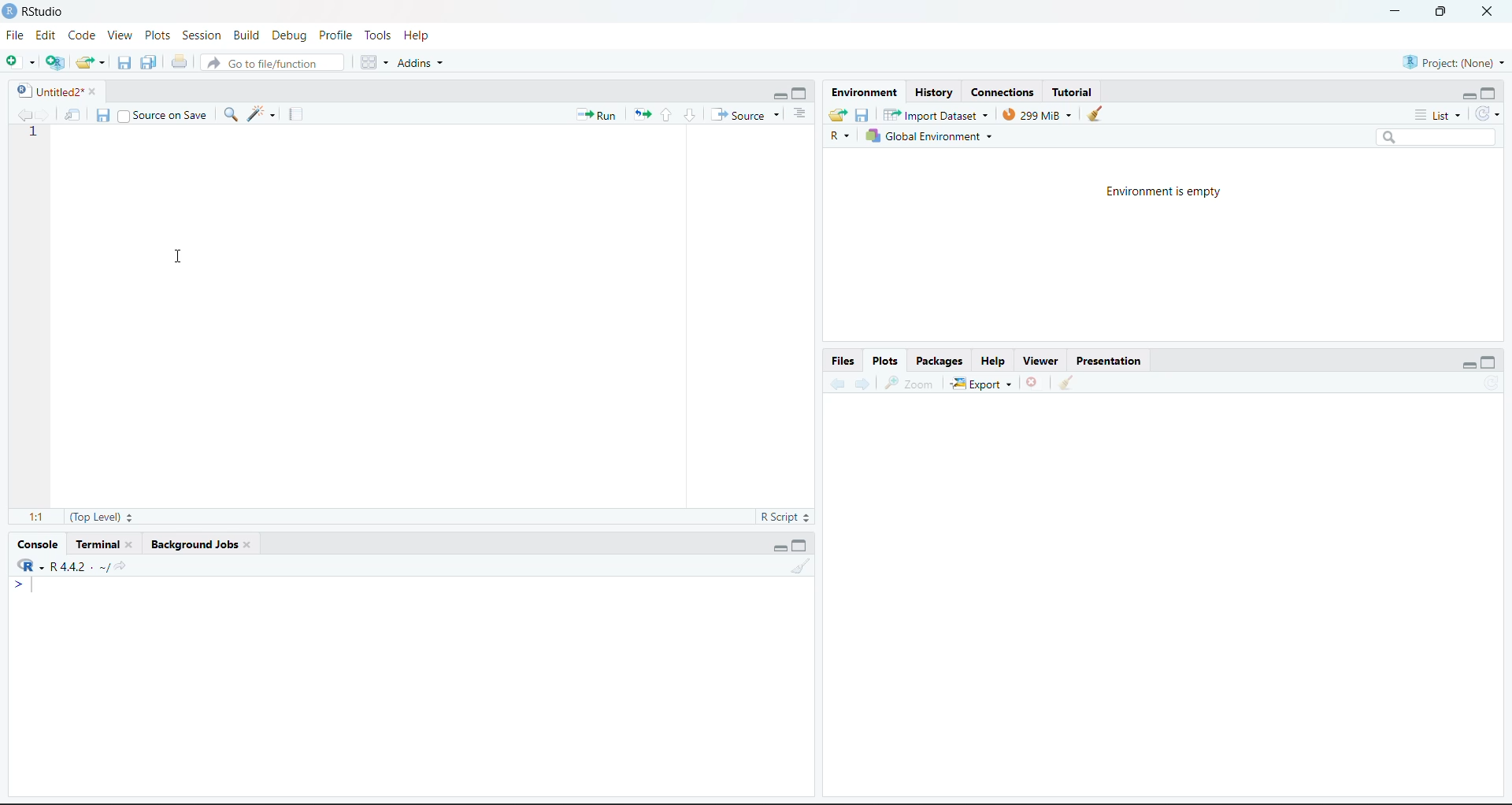  What do you see at coordinates (35, 584) in the screenshot?
I see `text cursor` at bounding box center [35, 584].